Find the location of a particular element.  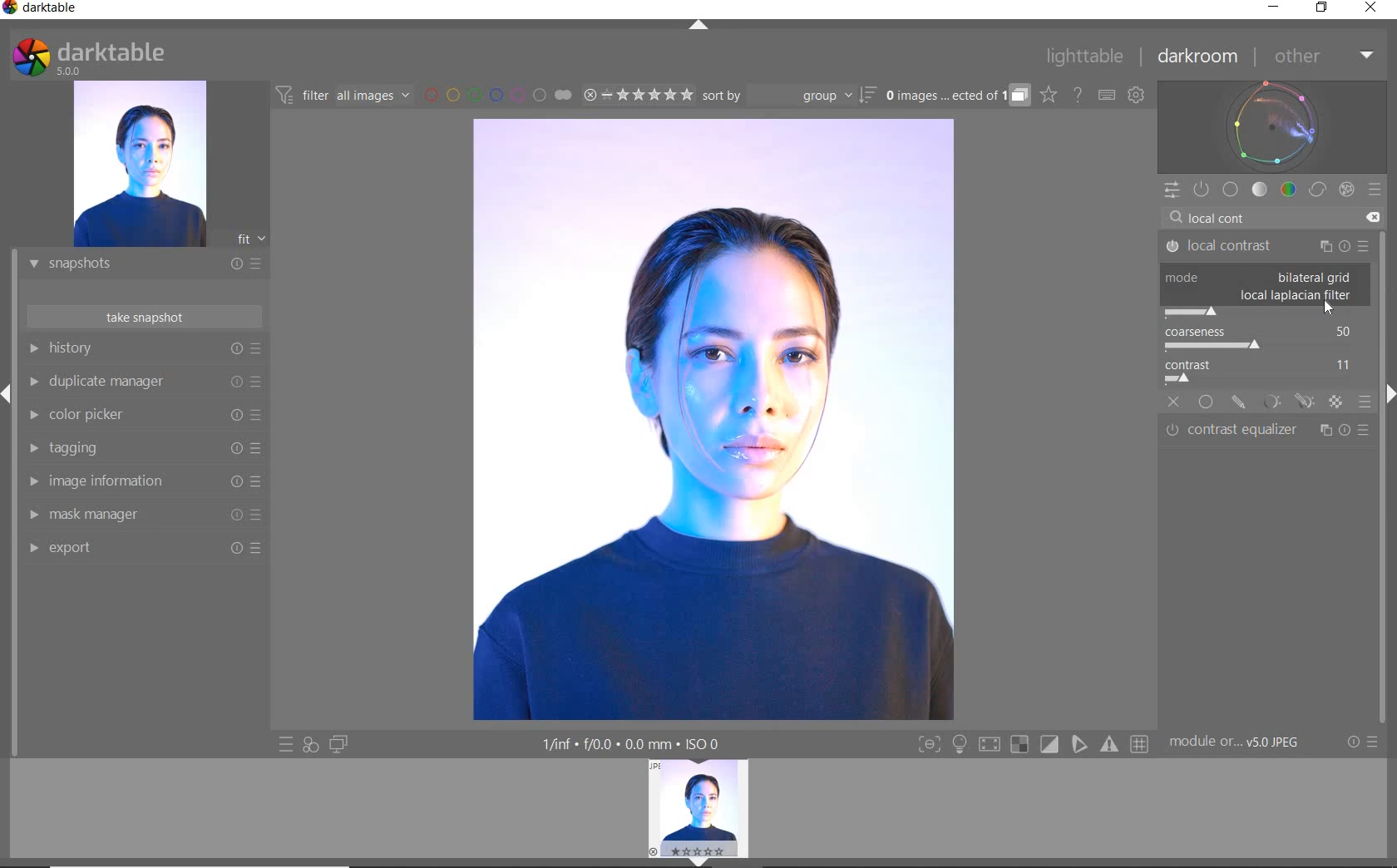

LOCAL CONTRAST is located at coordinates (1267, 247).